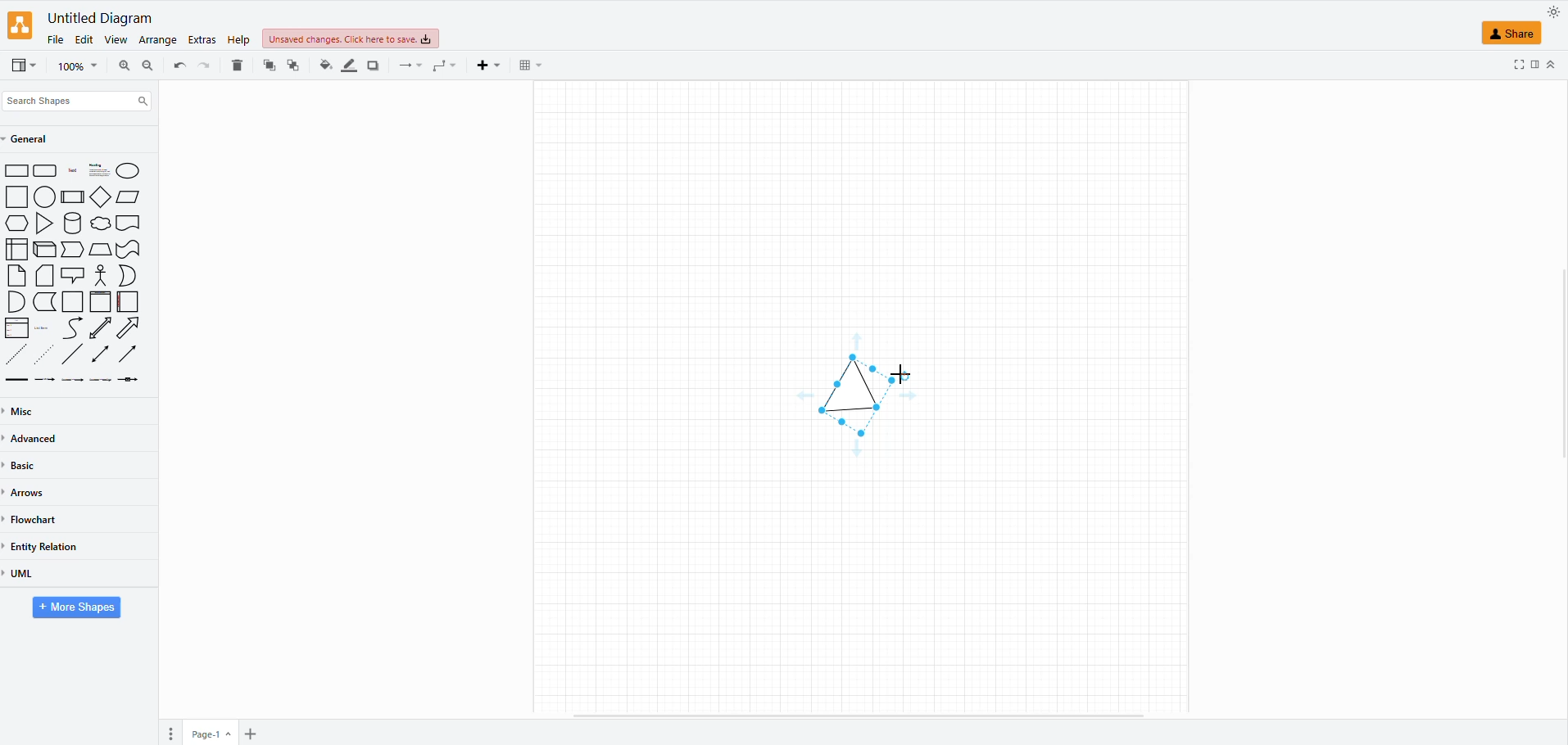 Image resolution: width=1568 pixels, height=745 pixels. Describe the element at coordinates (47, 223) in the screenshot. I see `Triangle` at that location.